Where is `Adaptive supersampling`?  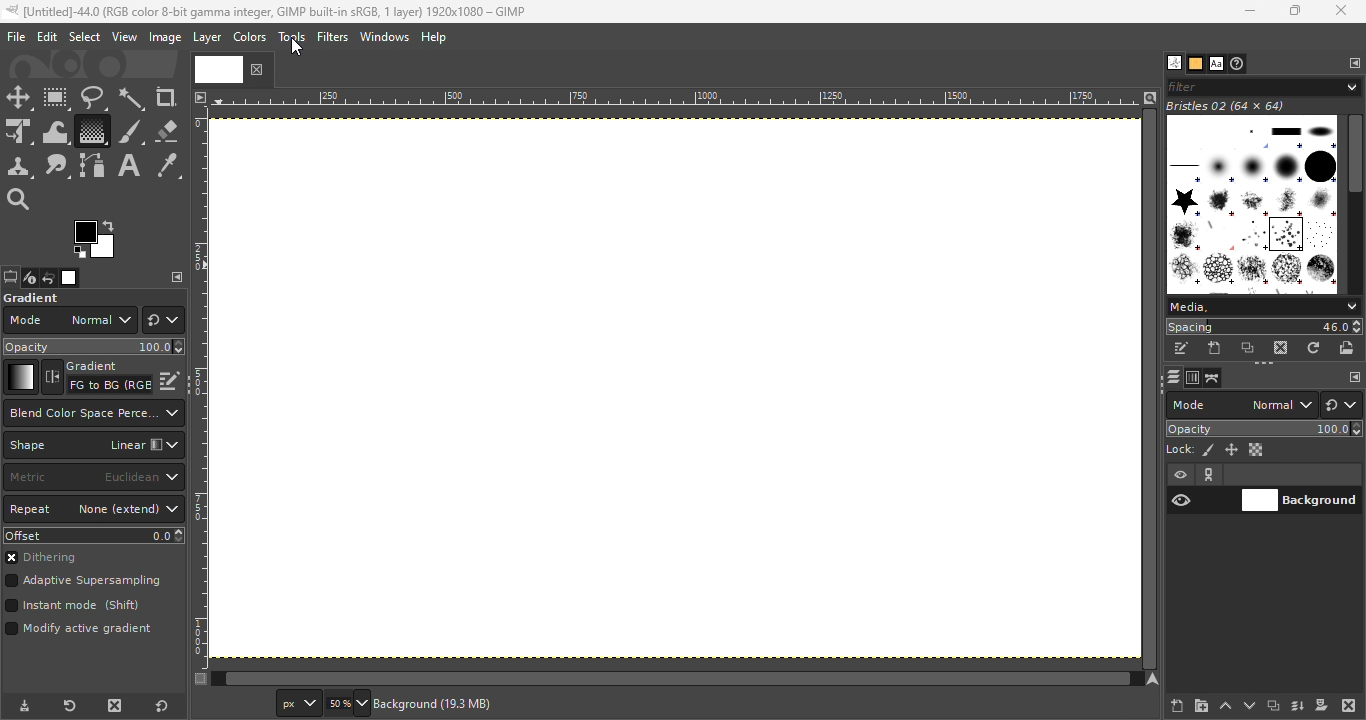 Adaptive supersampling is located at coordinates (84, 583).